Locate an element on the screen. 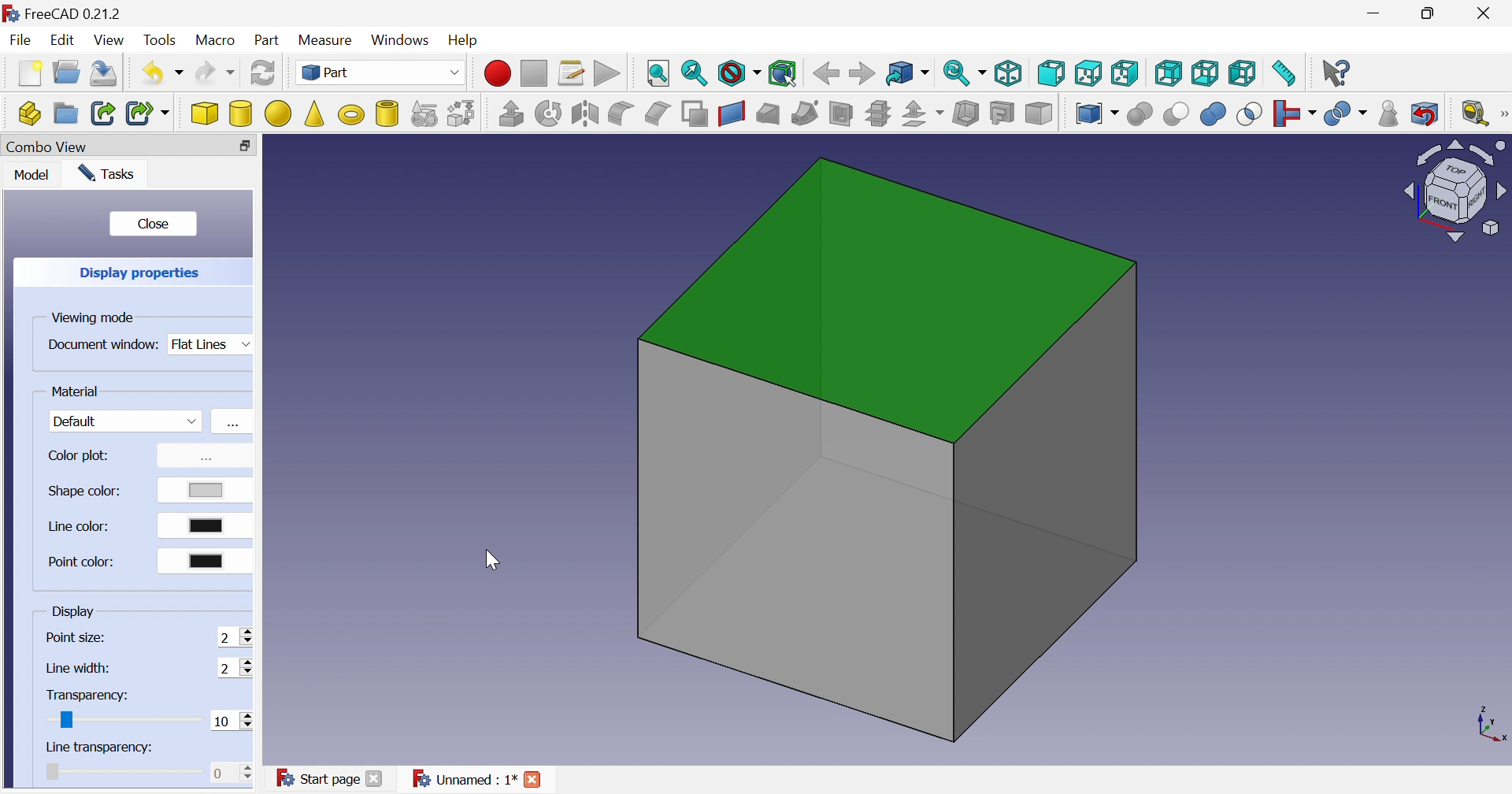 This screenshot has width=1512, height=794. Measure liner is located at coordinates (1475, 114).